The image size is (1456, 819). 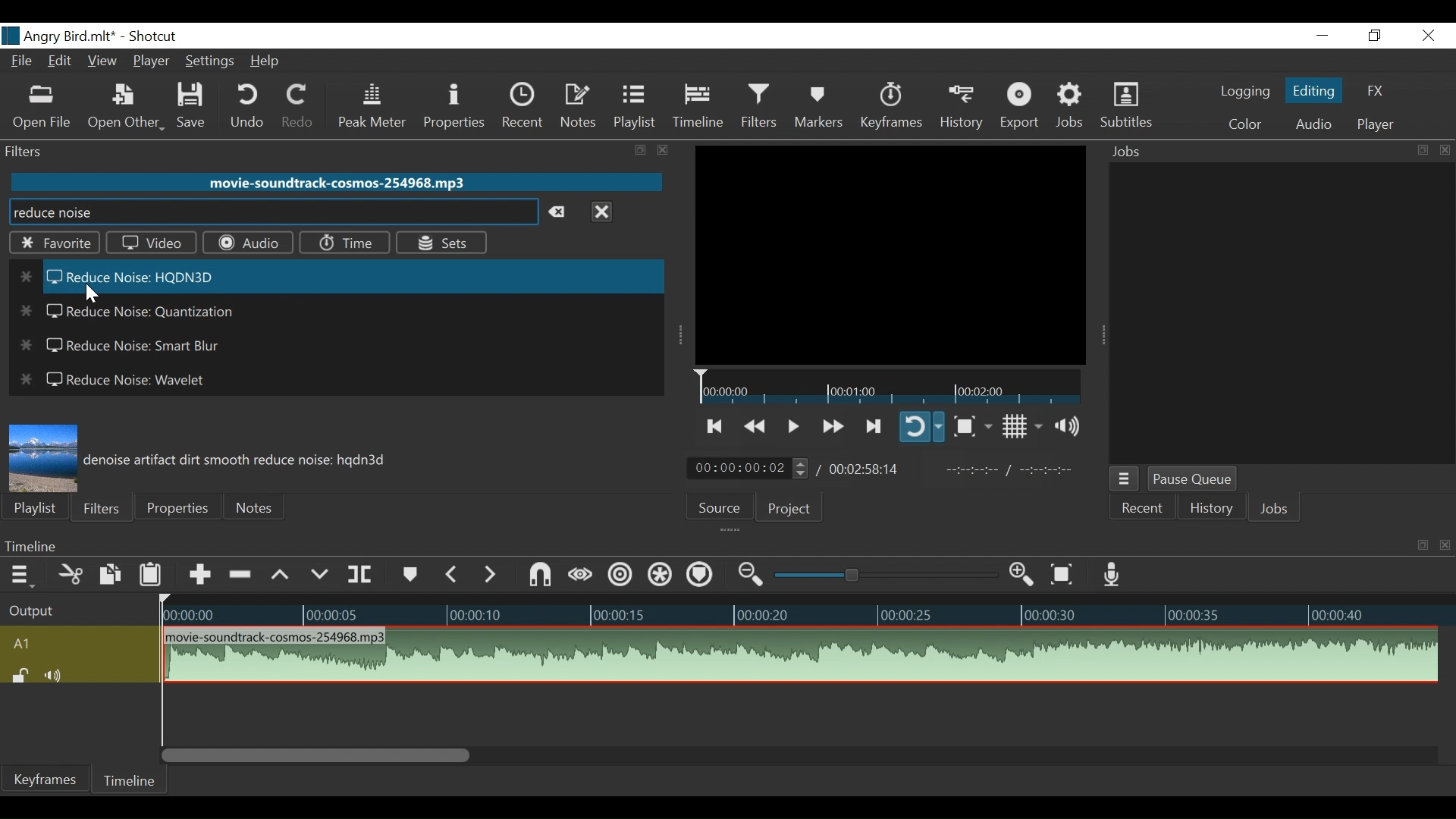 I want to click on Playlist menu, so click(x=35, y=507).